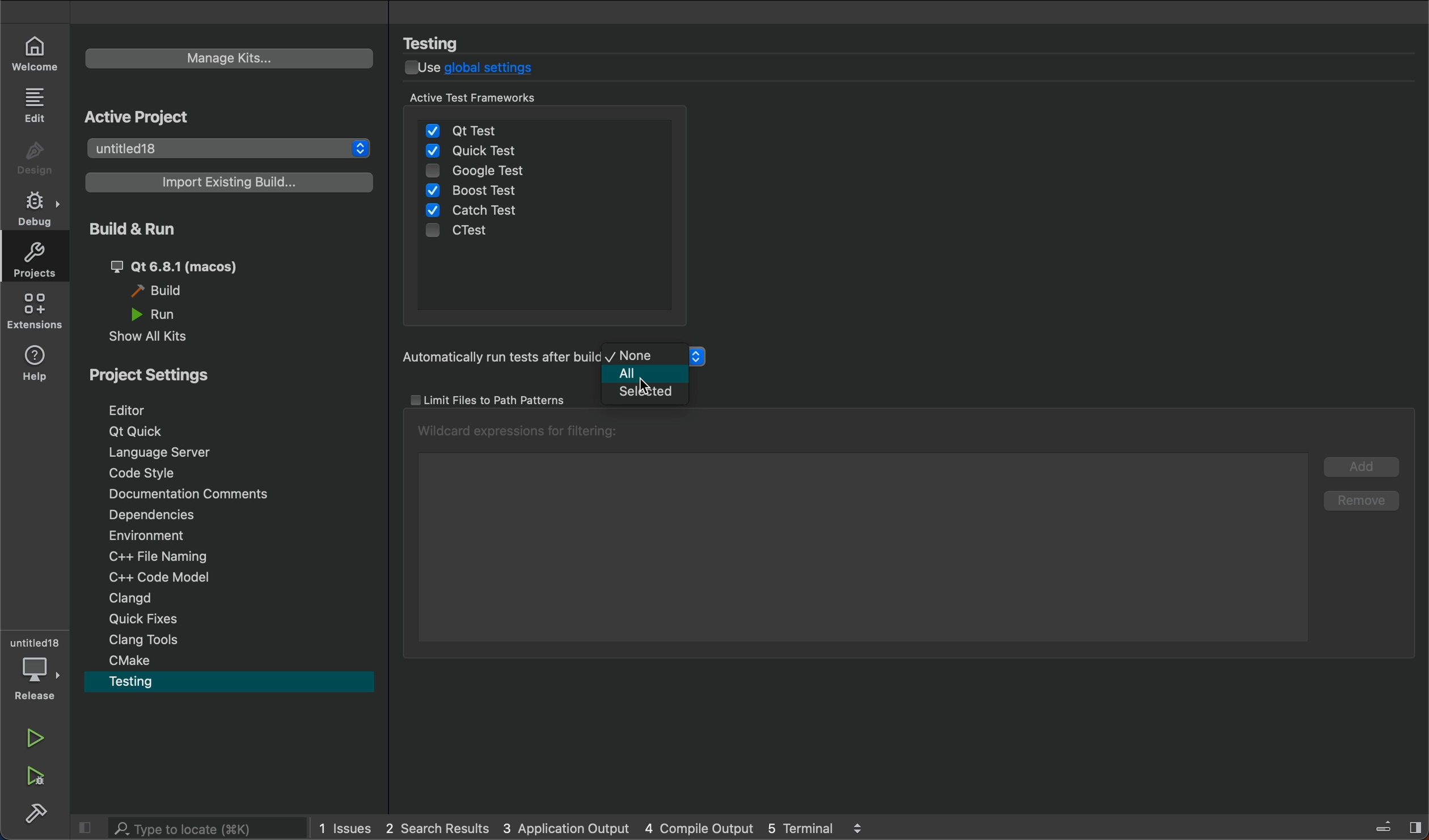 Image resolution: width=1429 pixels, height=840 pixels. I want to click on cmake, so click(133, 660).